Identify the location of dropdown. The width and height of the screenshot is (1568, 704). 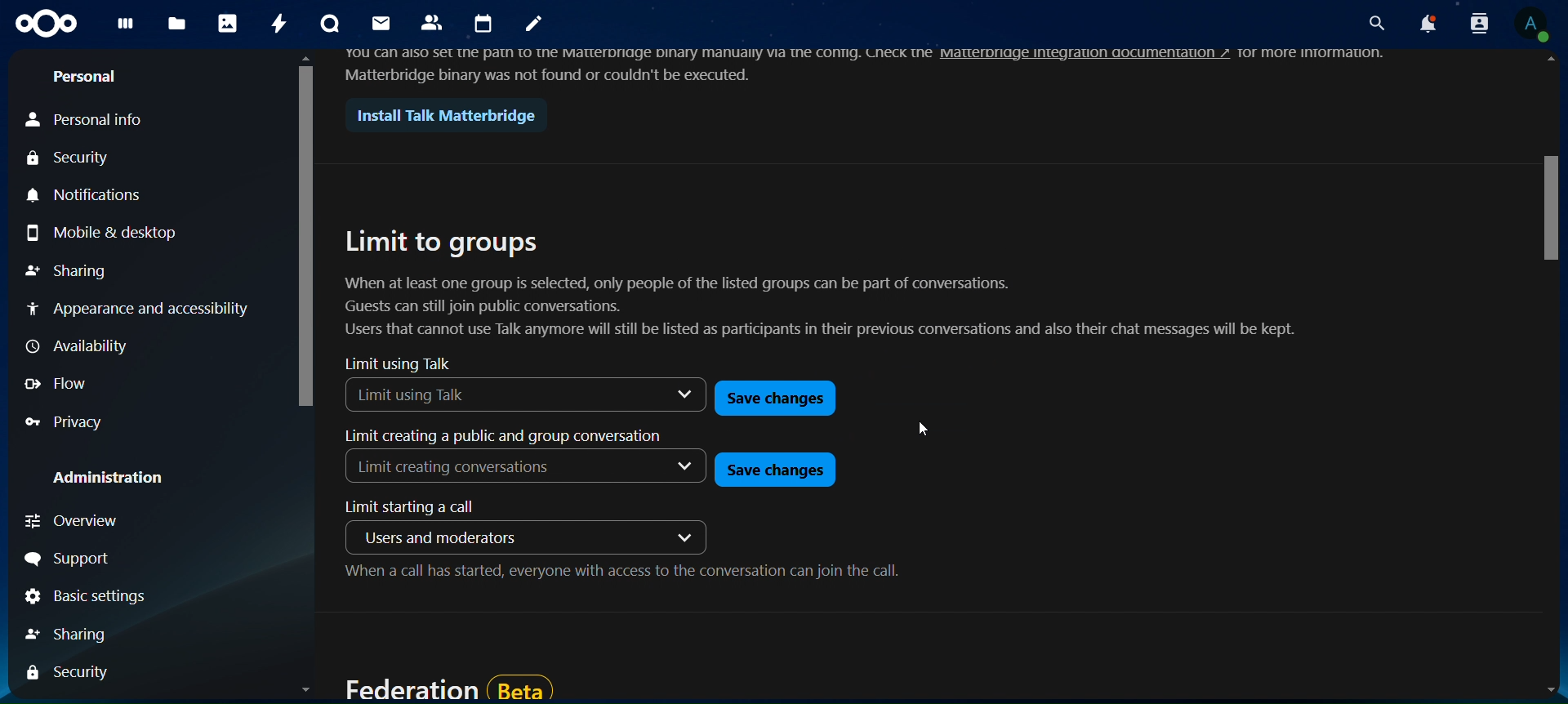
(686, 535).